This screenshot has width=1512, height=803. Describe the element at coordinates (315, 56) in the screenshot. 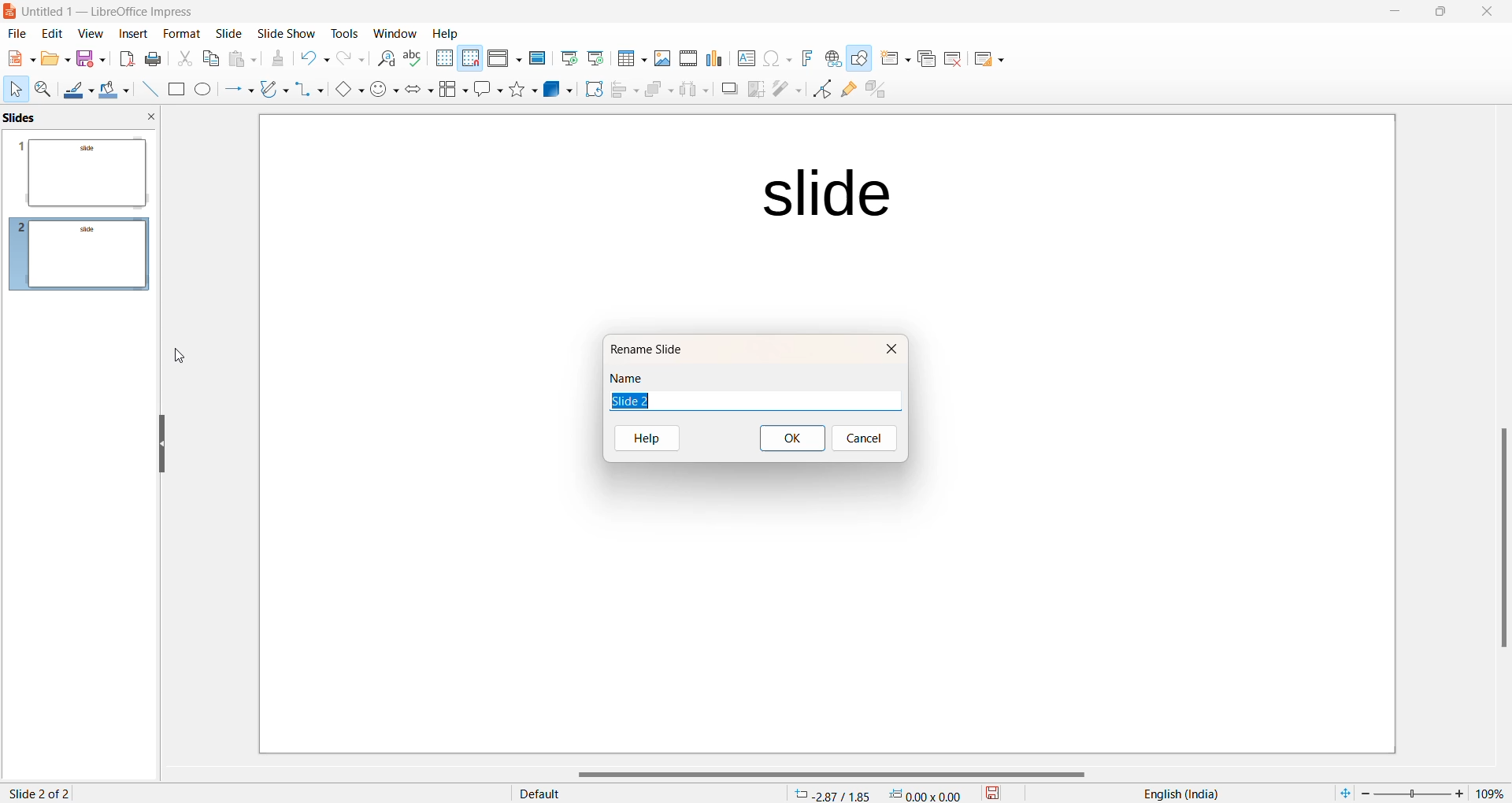

I see `Undo` at that location.